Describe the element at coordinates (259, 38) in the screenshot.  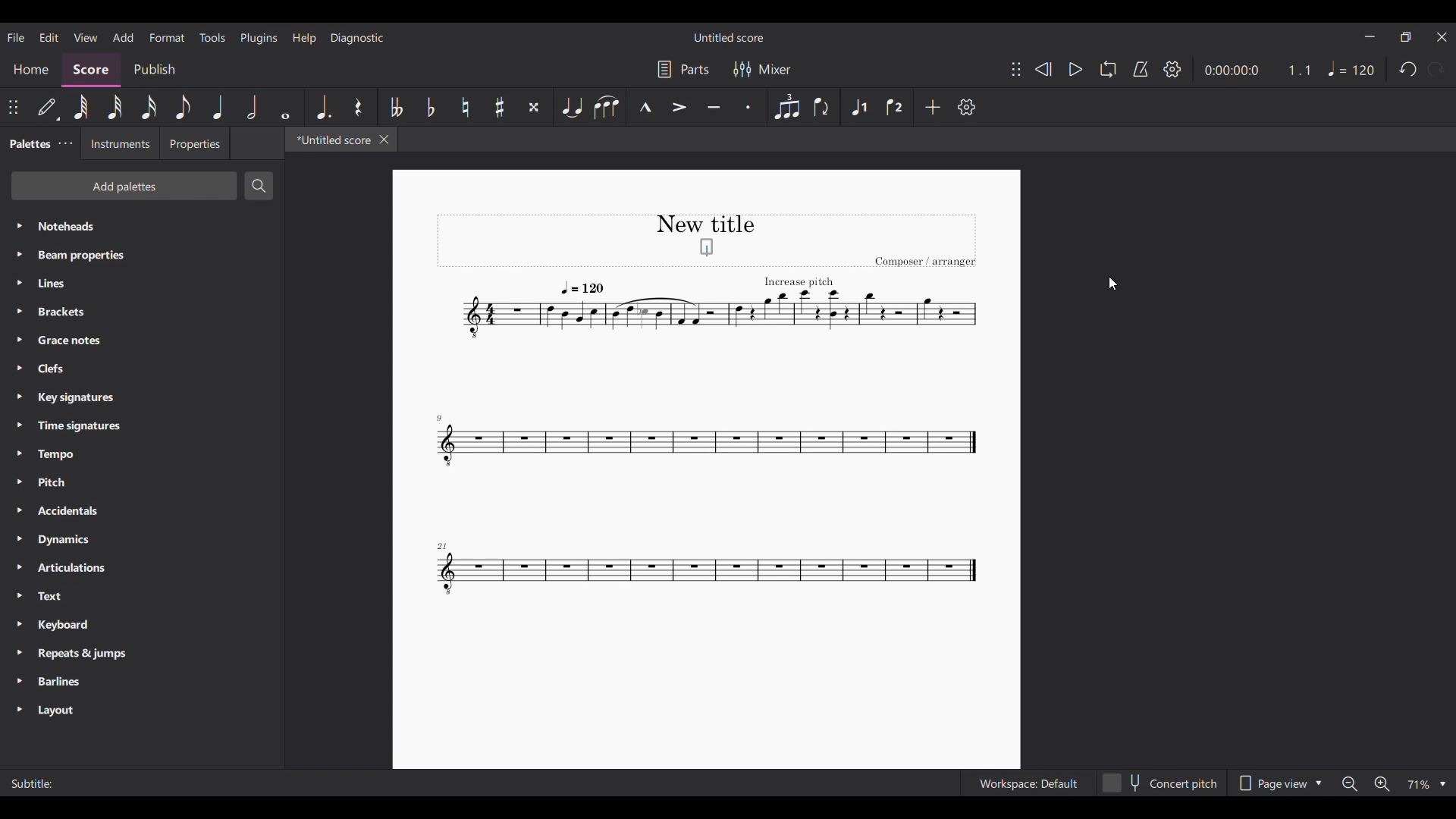
I see `Plugins menu` at that location.